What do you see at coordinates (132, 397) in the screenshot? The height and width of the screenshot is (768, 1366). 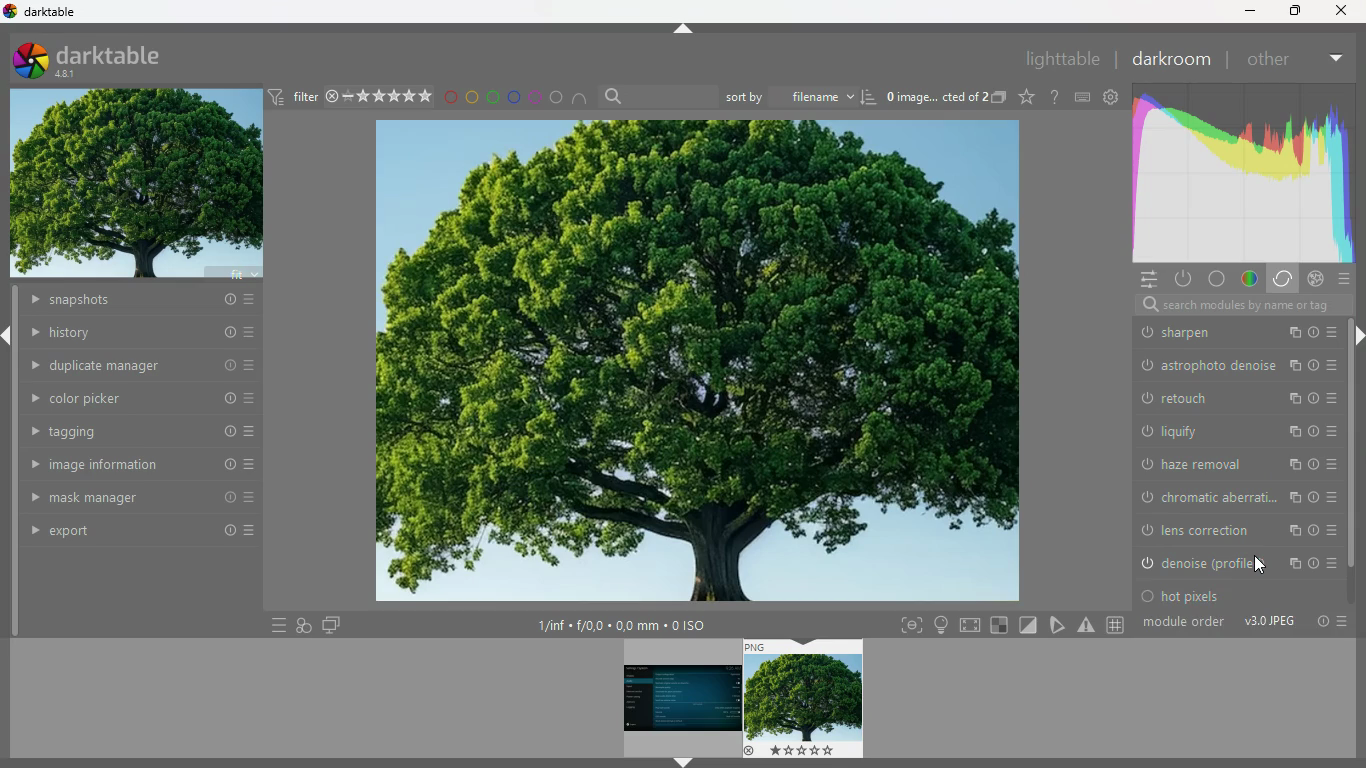 I see `color picker` at bounding box center [132, 397].